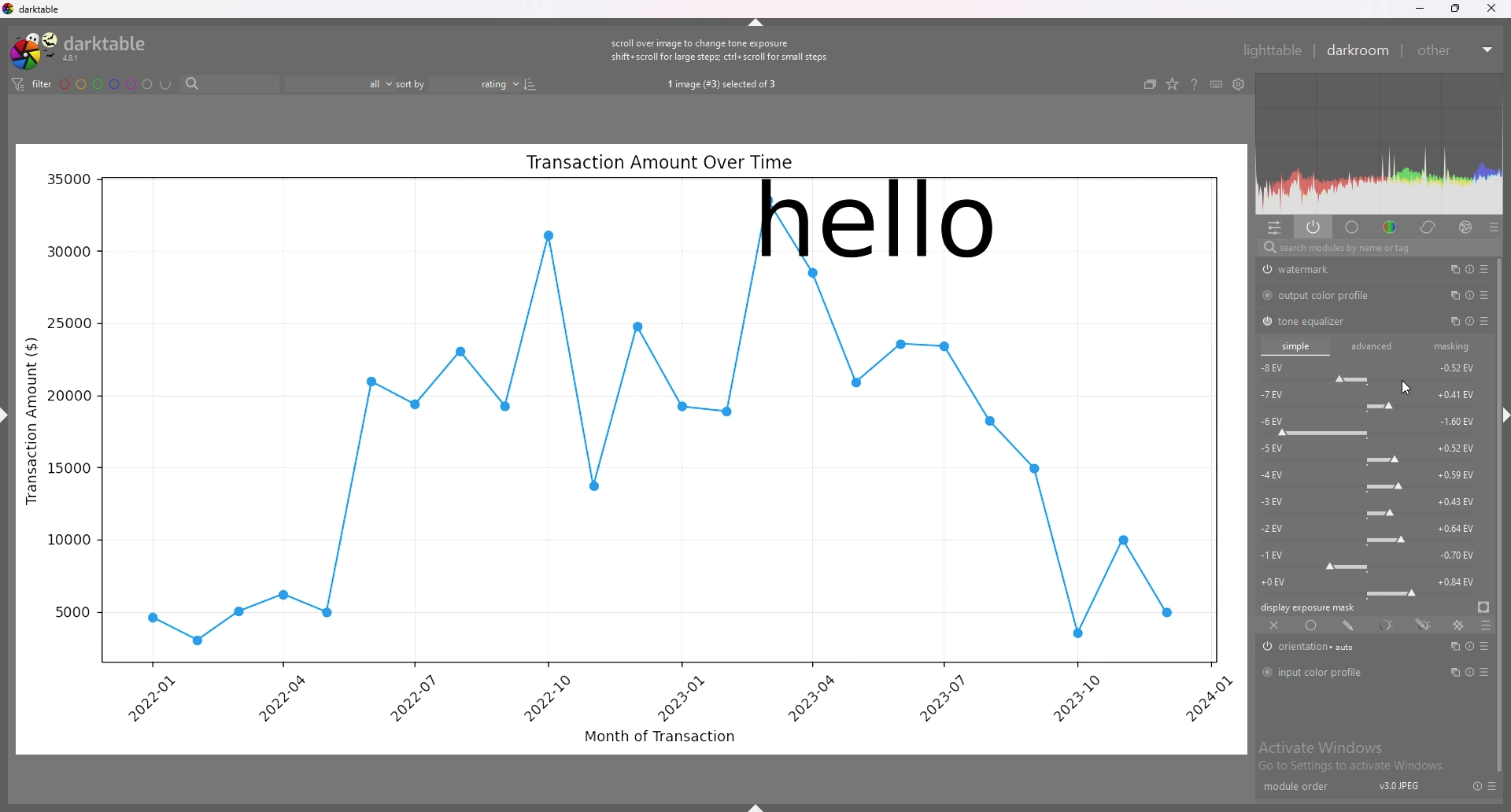 The image size is (1511, 812). I want to click on keyboard shortcuts, so click(1216, 84).